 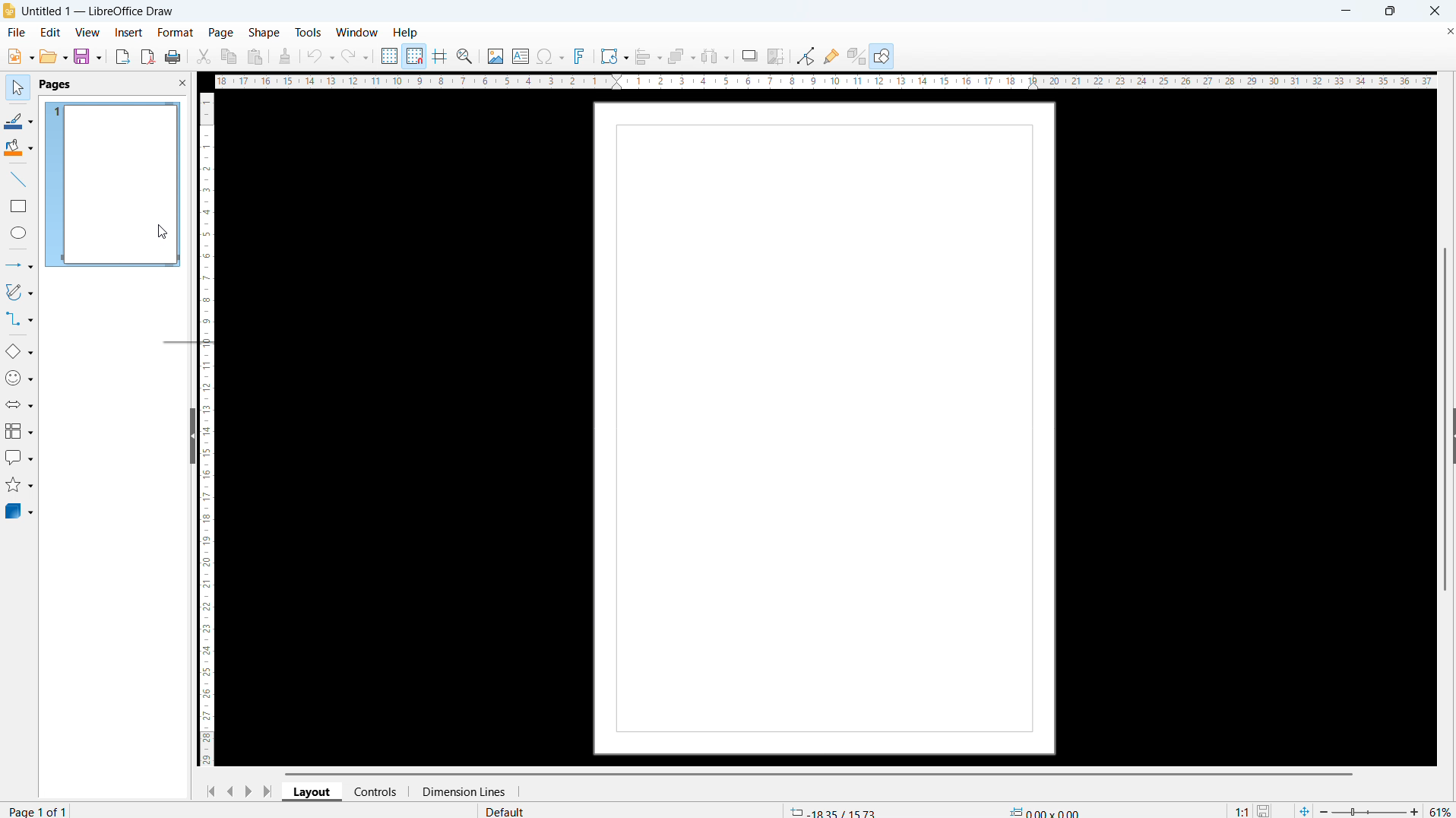 What do you see at coordinates (162, 233) in the screenshot?
I see `cursor` at bounding box center [162, 233].